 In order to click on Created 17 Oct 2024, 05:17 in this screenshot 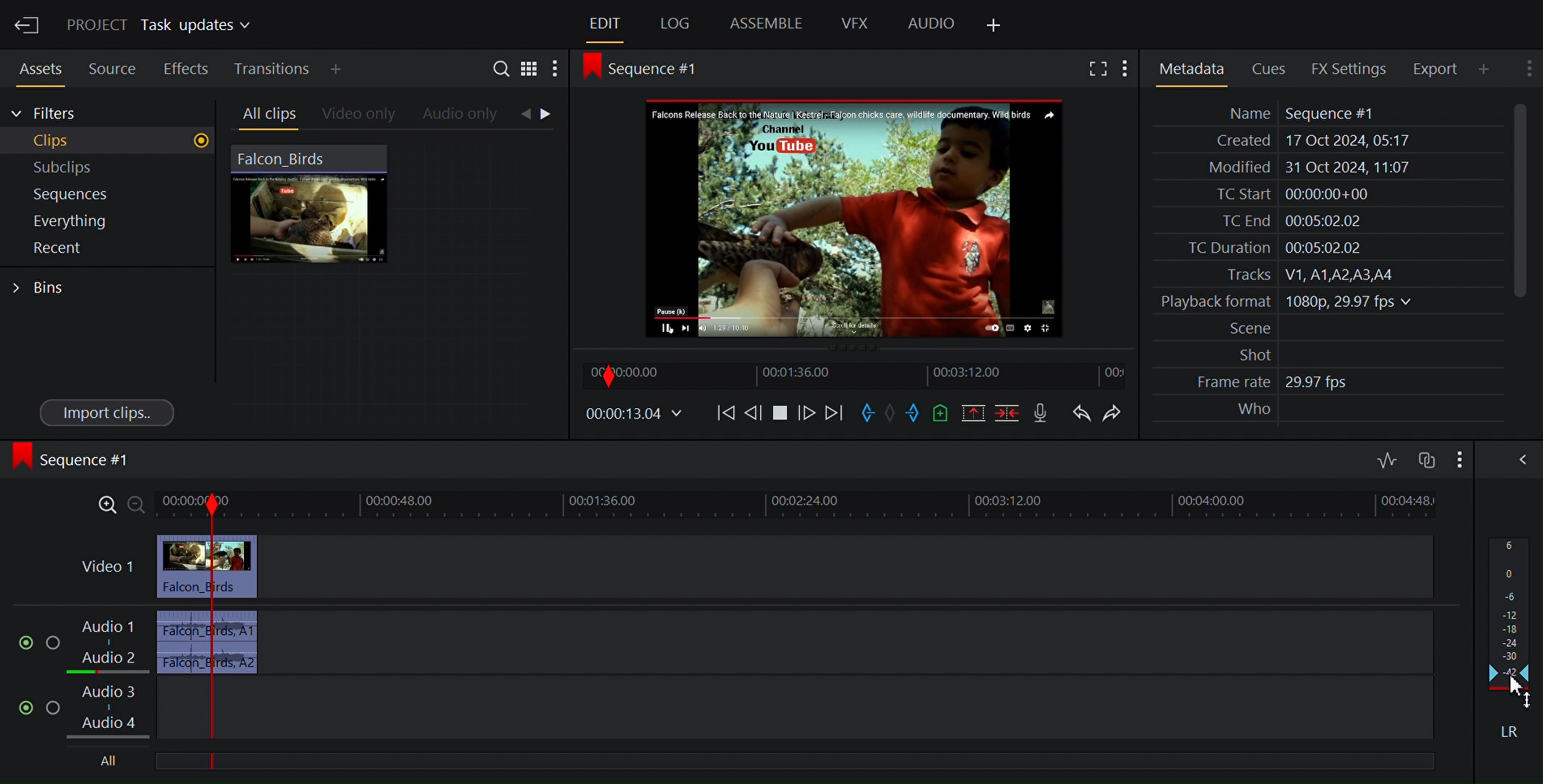, I will do `click(1306, 141)`.